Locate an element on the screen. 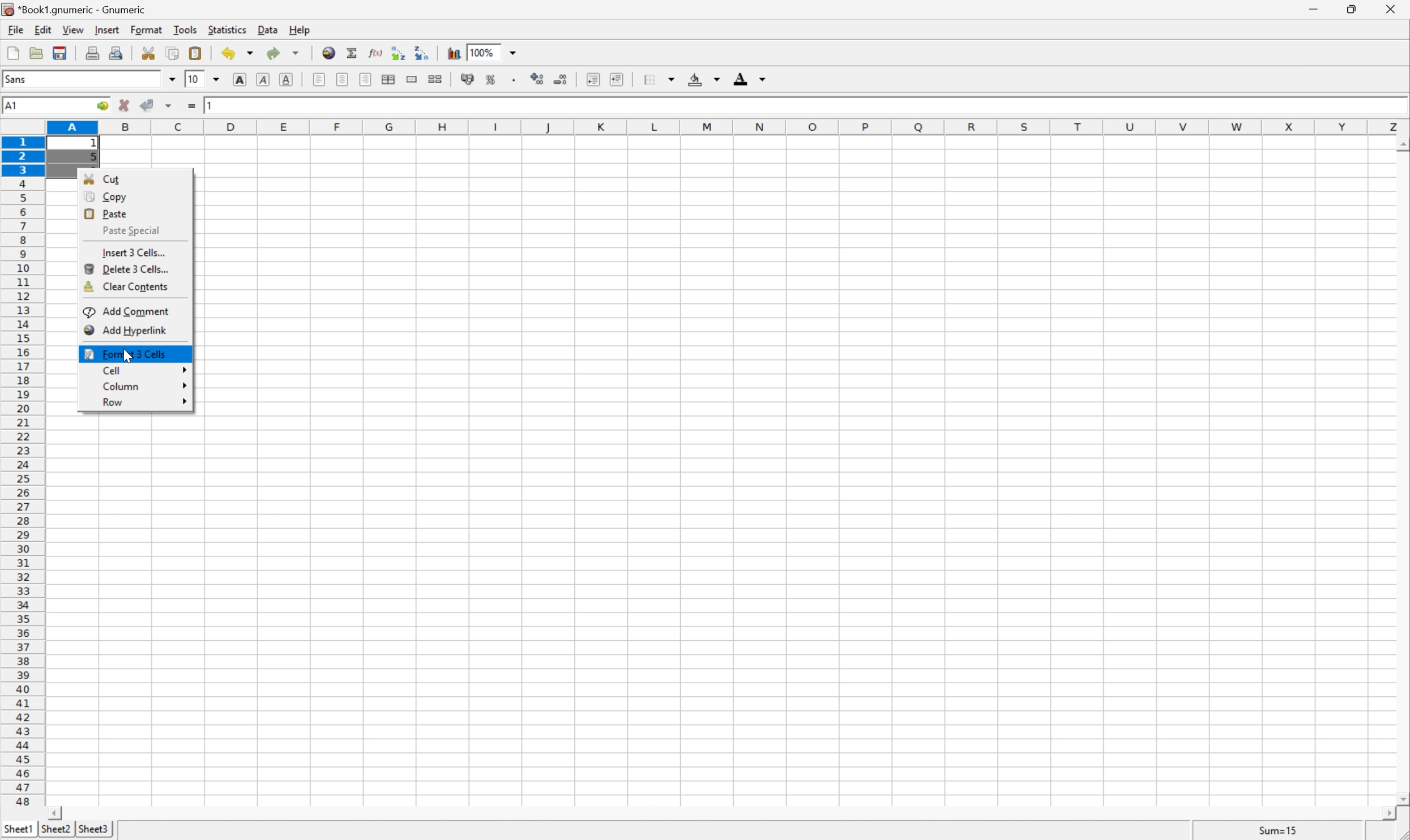  5 is located at coordinates (93, 158).